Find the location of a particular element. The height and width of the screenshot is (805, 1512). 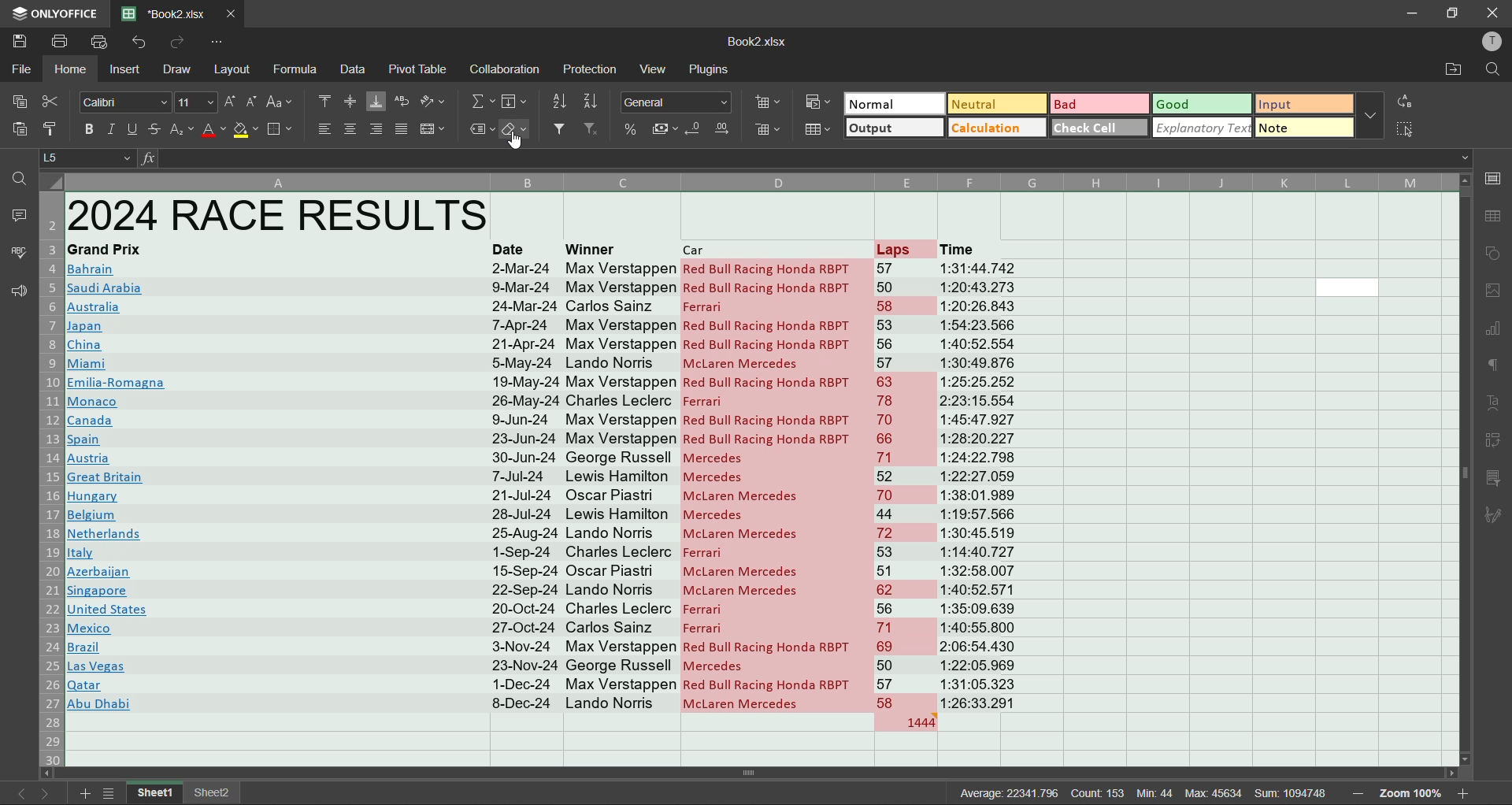

zoom in is located at coordinates (1466, 791).